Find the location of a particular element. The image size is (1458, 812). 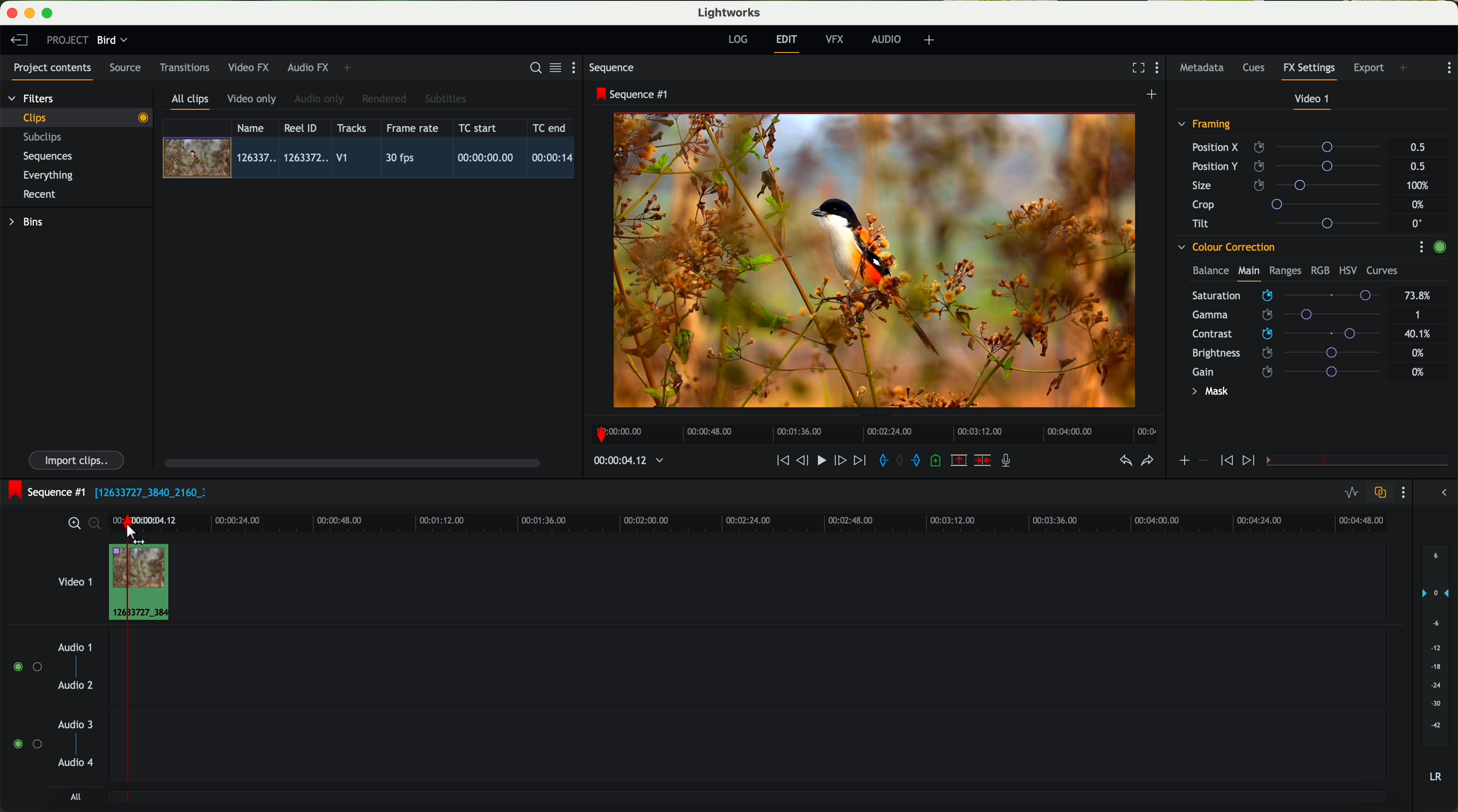

balance is located at coordinates (1211, 272).